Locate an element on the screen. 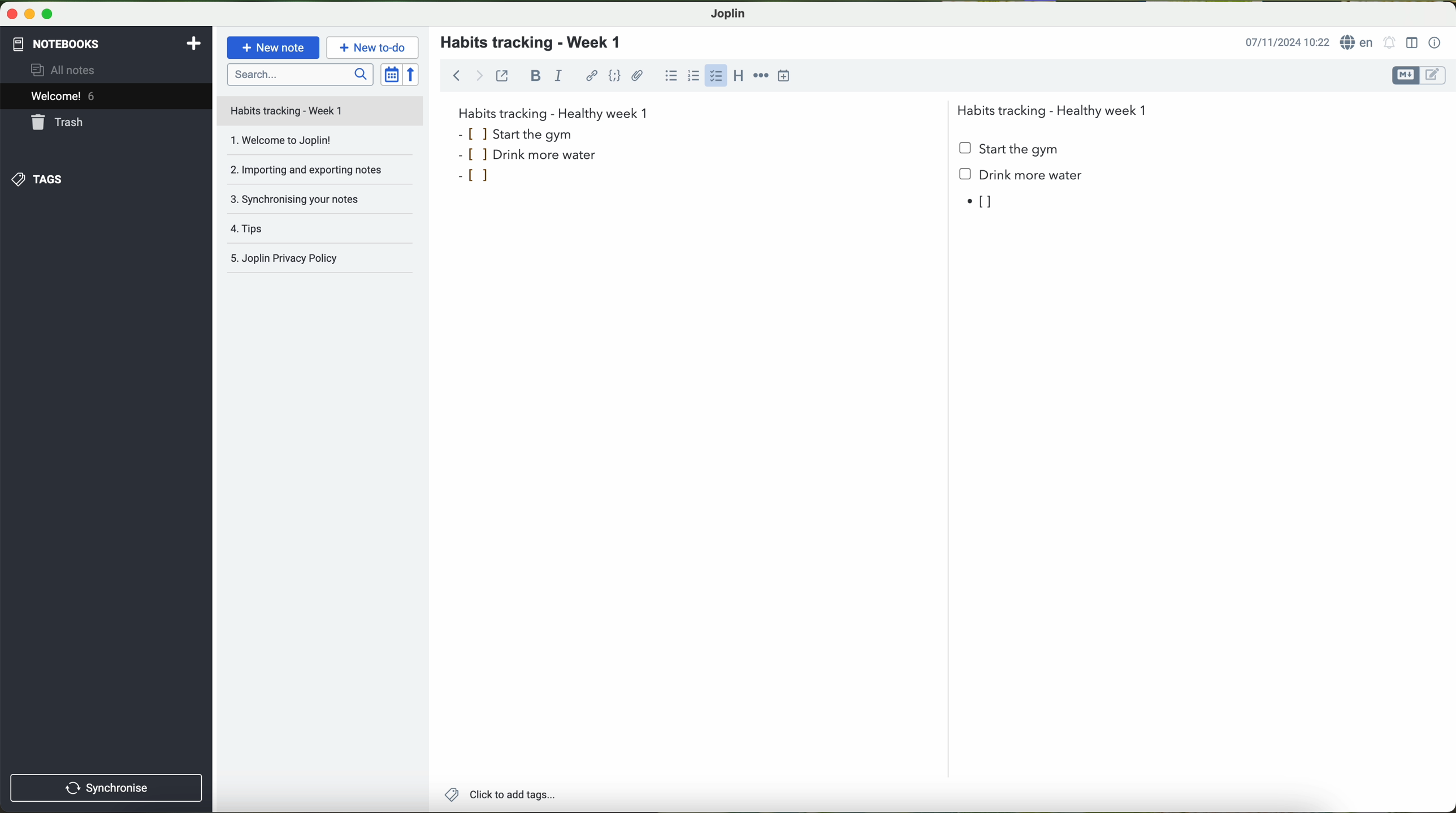  new note button is located at coordinates (274, 47).